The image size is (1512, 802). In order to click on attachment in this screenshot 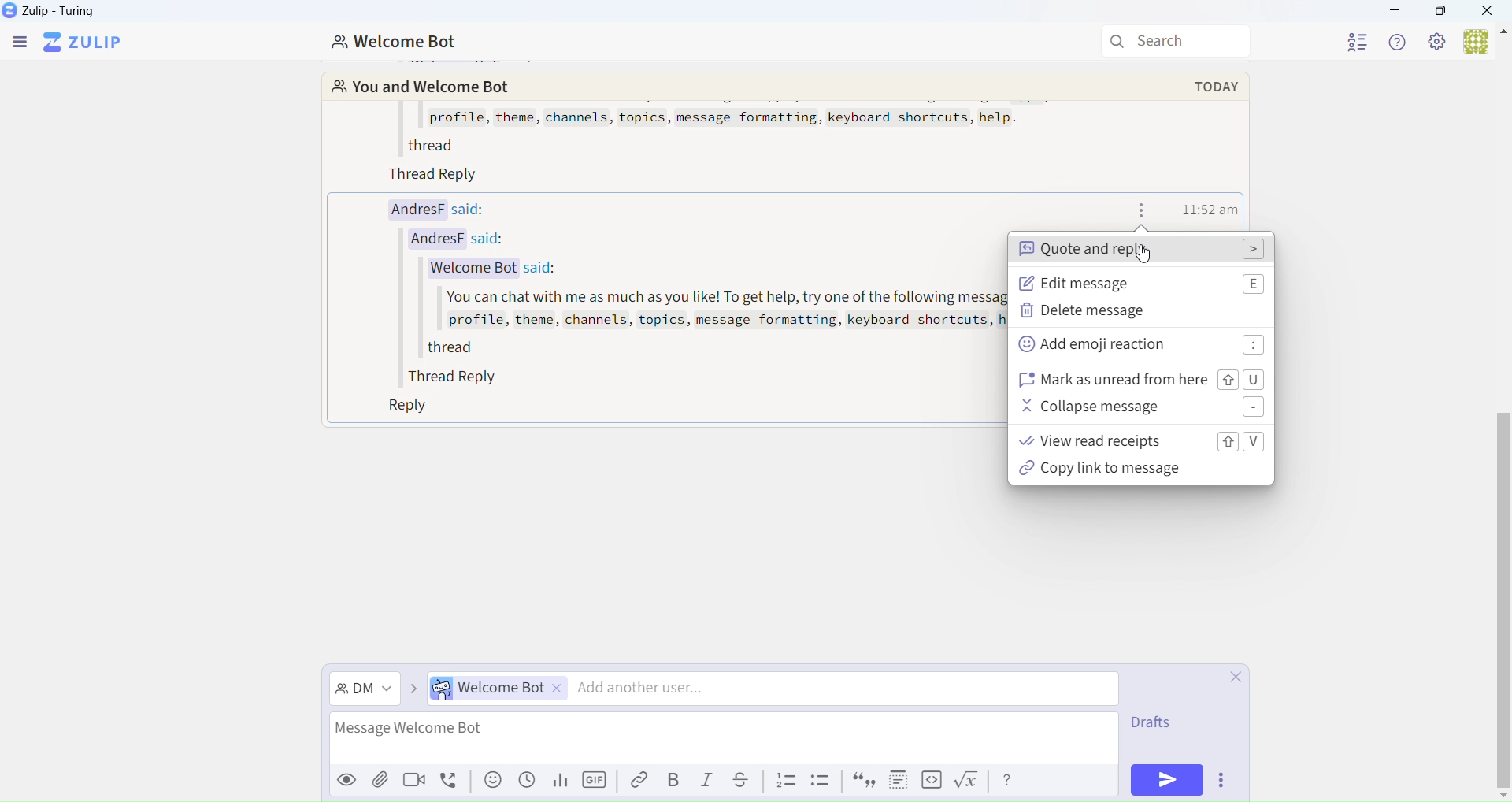, I will do `click(380, 785)`.